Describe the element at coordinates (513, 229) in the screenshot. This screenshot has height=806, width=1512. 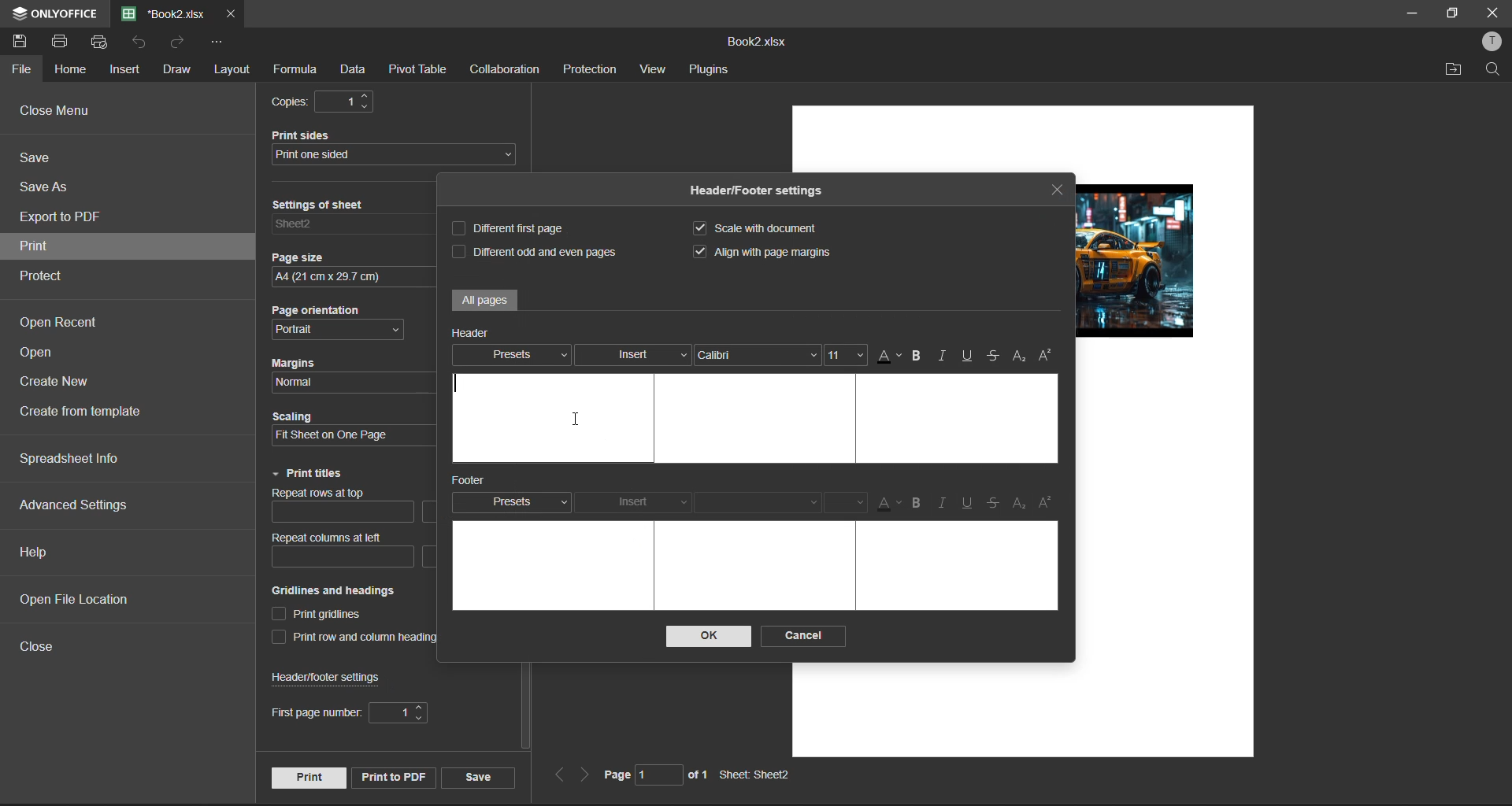
I see `different first page` at that location.